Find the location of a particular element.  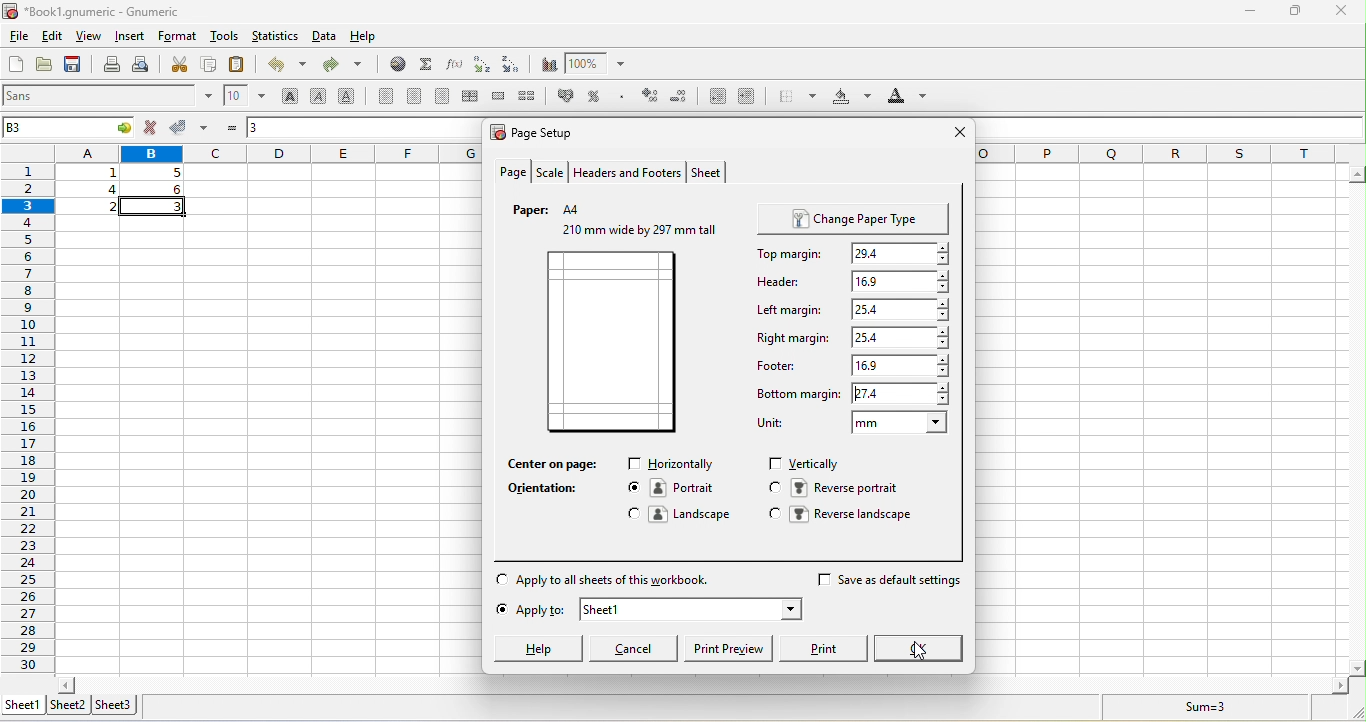

16.9 is located at coordinates (897, 365).